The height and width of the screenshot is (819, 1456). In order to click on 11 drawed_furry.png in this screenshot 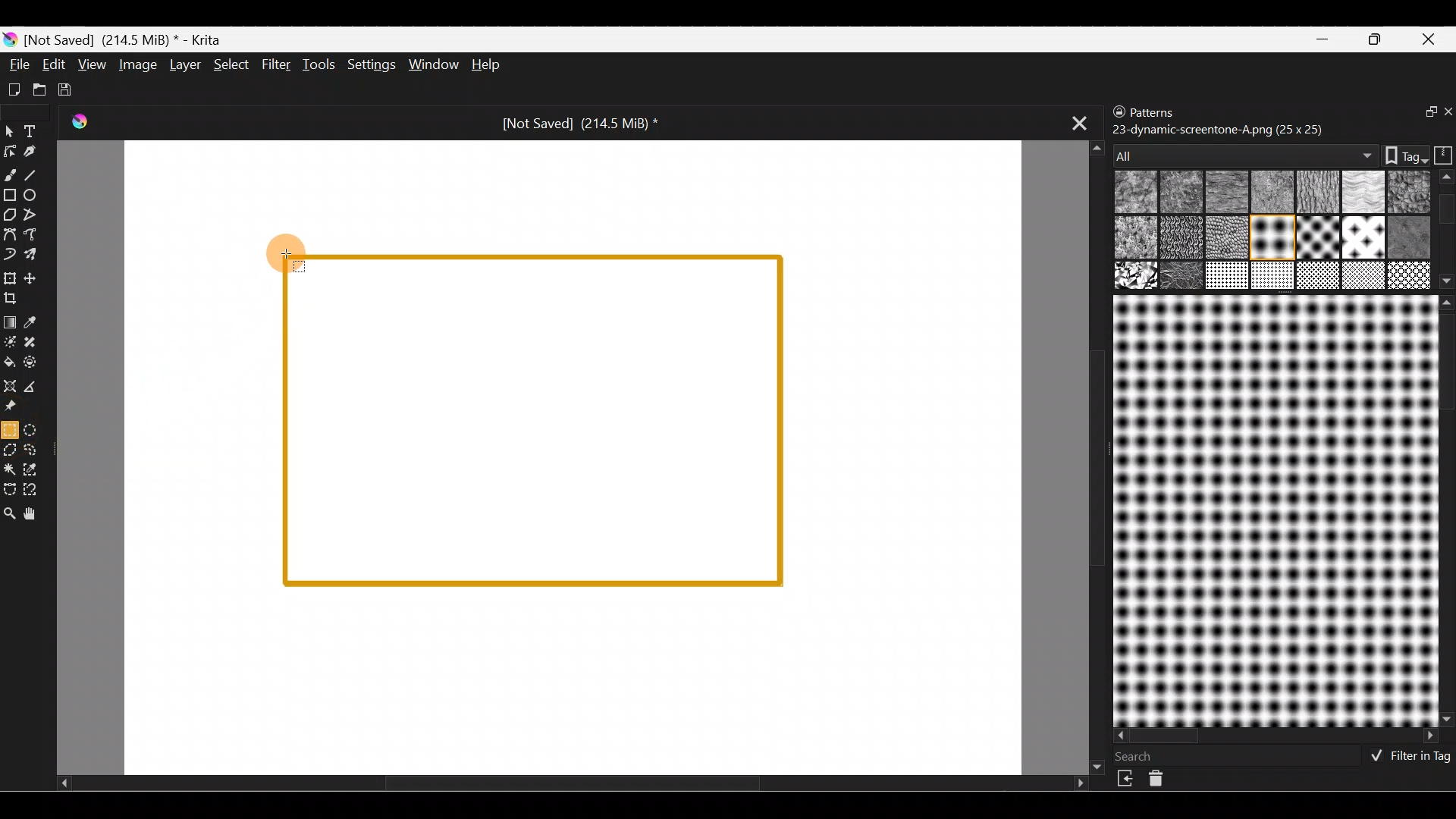, I will do `click(1314, 240)`.